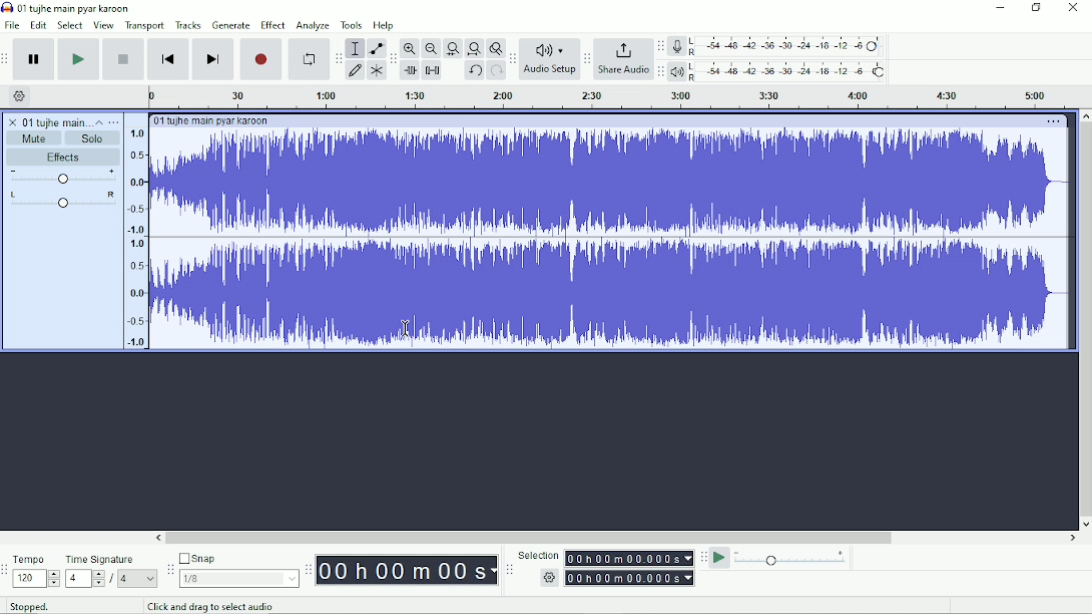  I want to click on Draw tool, so click(357, 71).